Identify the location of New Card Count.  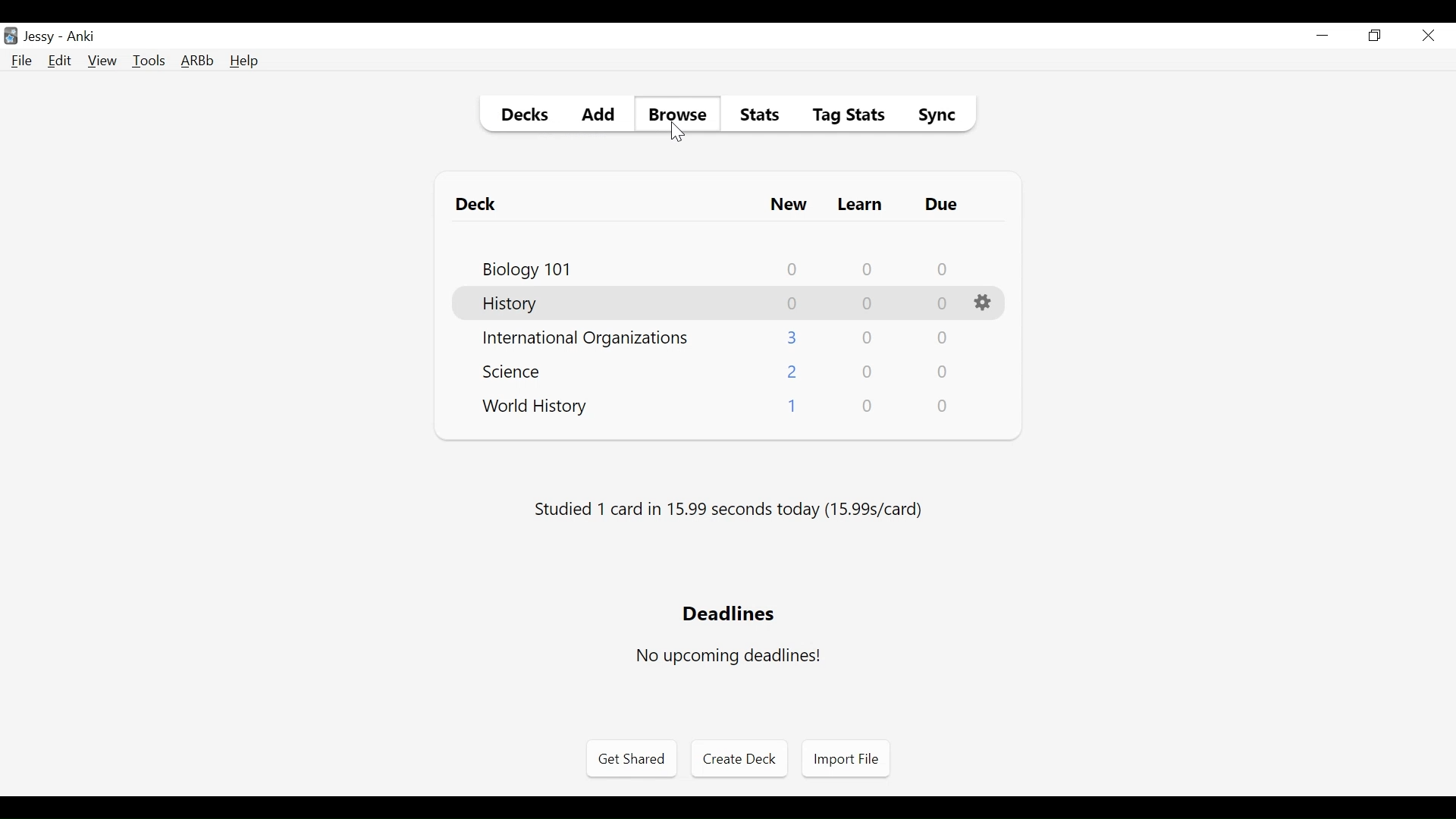
(794, 303).